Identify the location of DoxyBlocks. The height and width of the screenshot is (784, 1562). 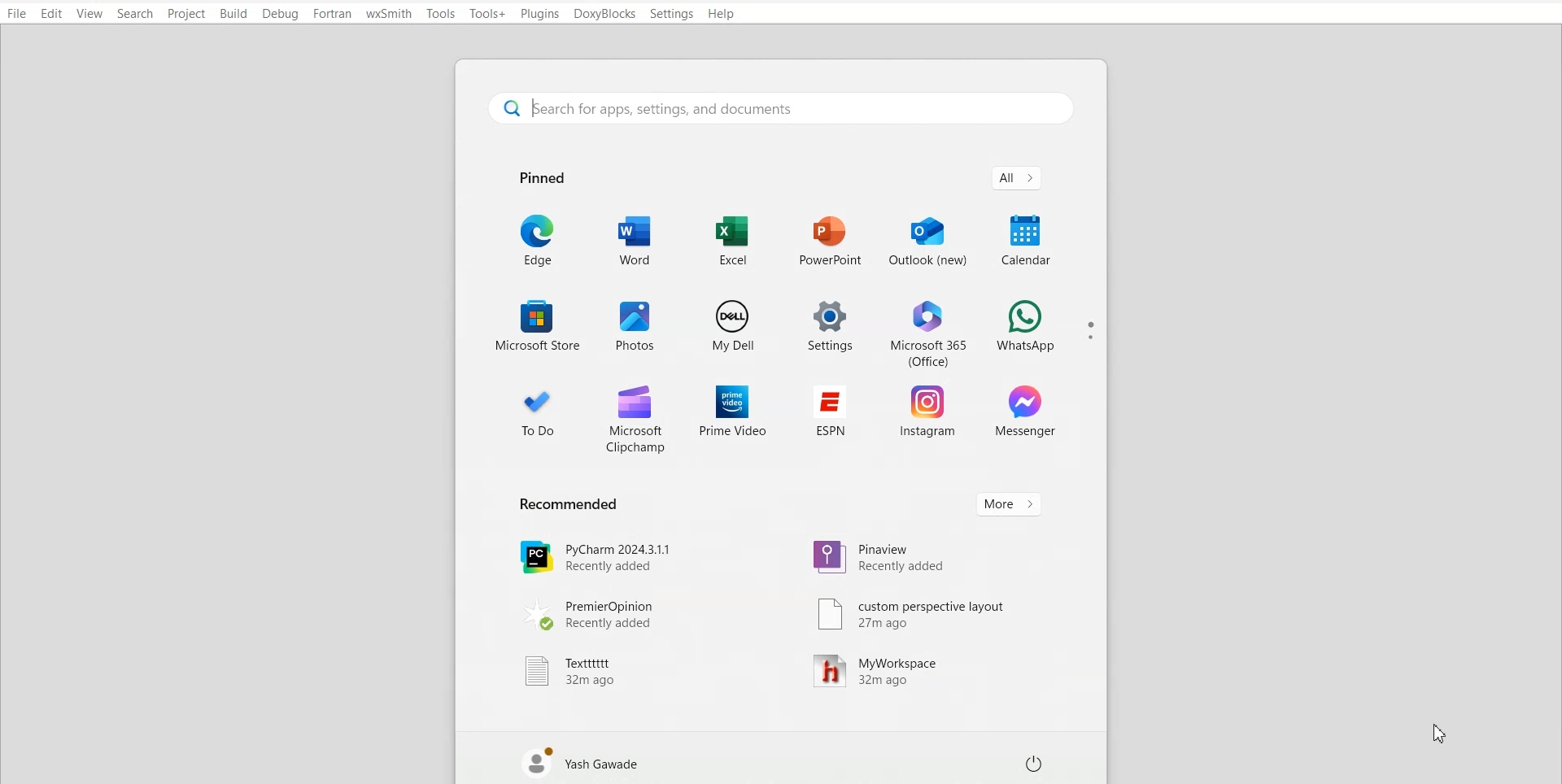
(604, 14).